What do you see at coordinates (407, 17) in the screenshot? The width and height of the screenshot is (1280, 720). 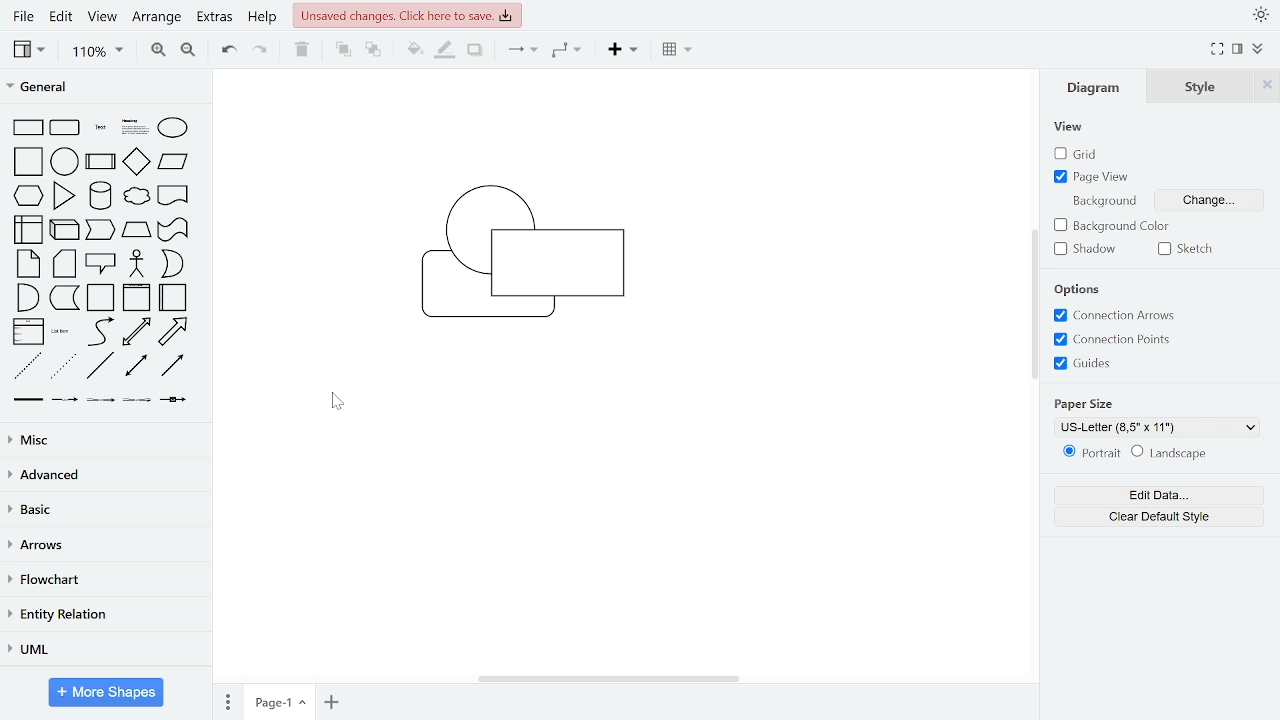 I see `unsaved changes. Click here to save` at bounding box center [407, 17].